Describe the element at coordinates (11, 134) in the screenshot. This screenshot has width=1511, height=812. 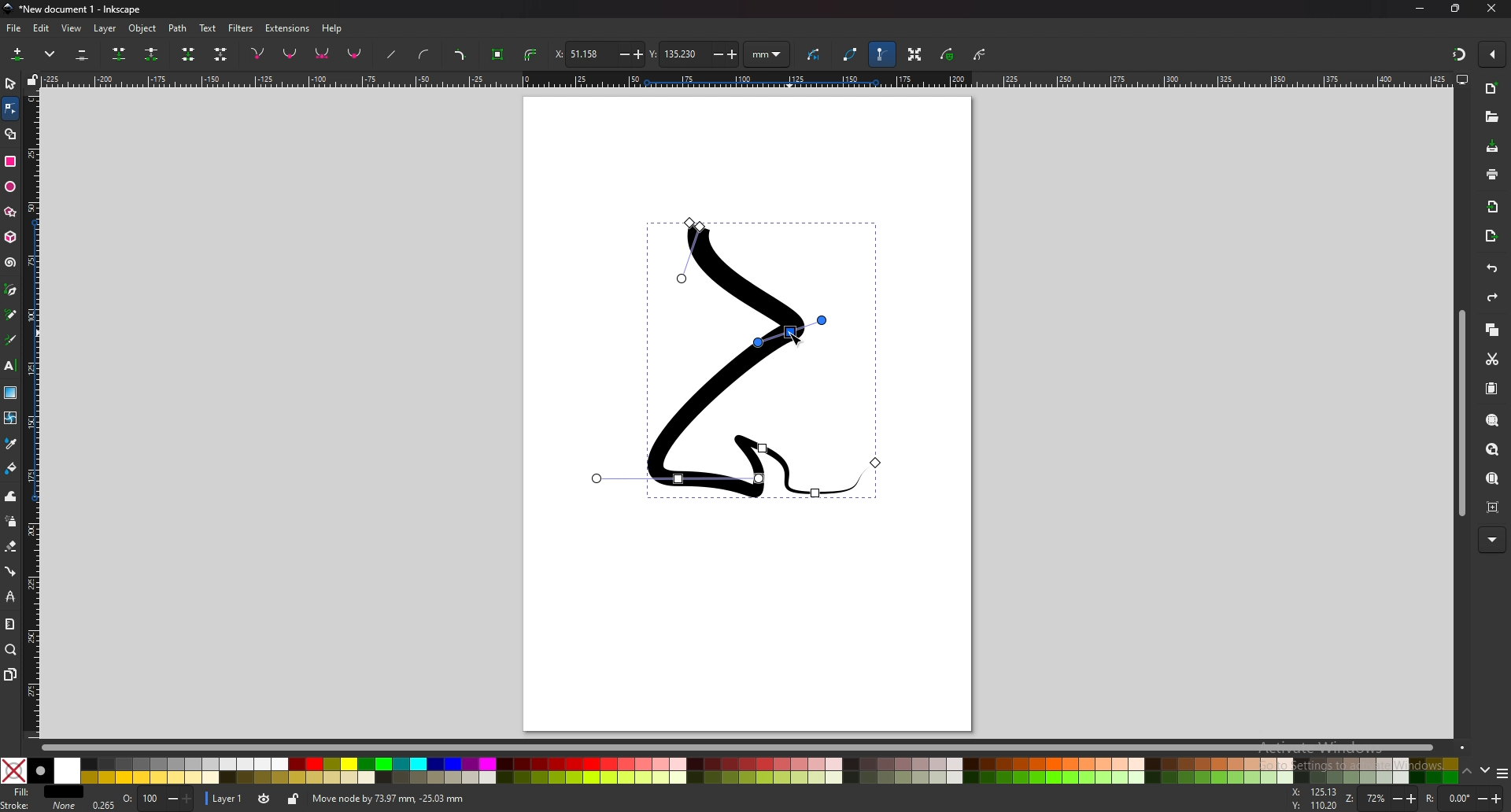
I see `shape builder` at that location.